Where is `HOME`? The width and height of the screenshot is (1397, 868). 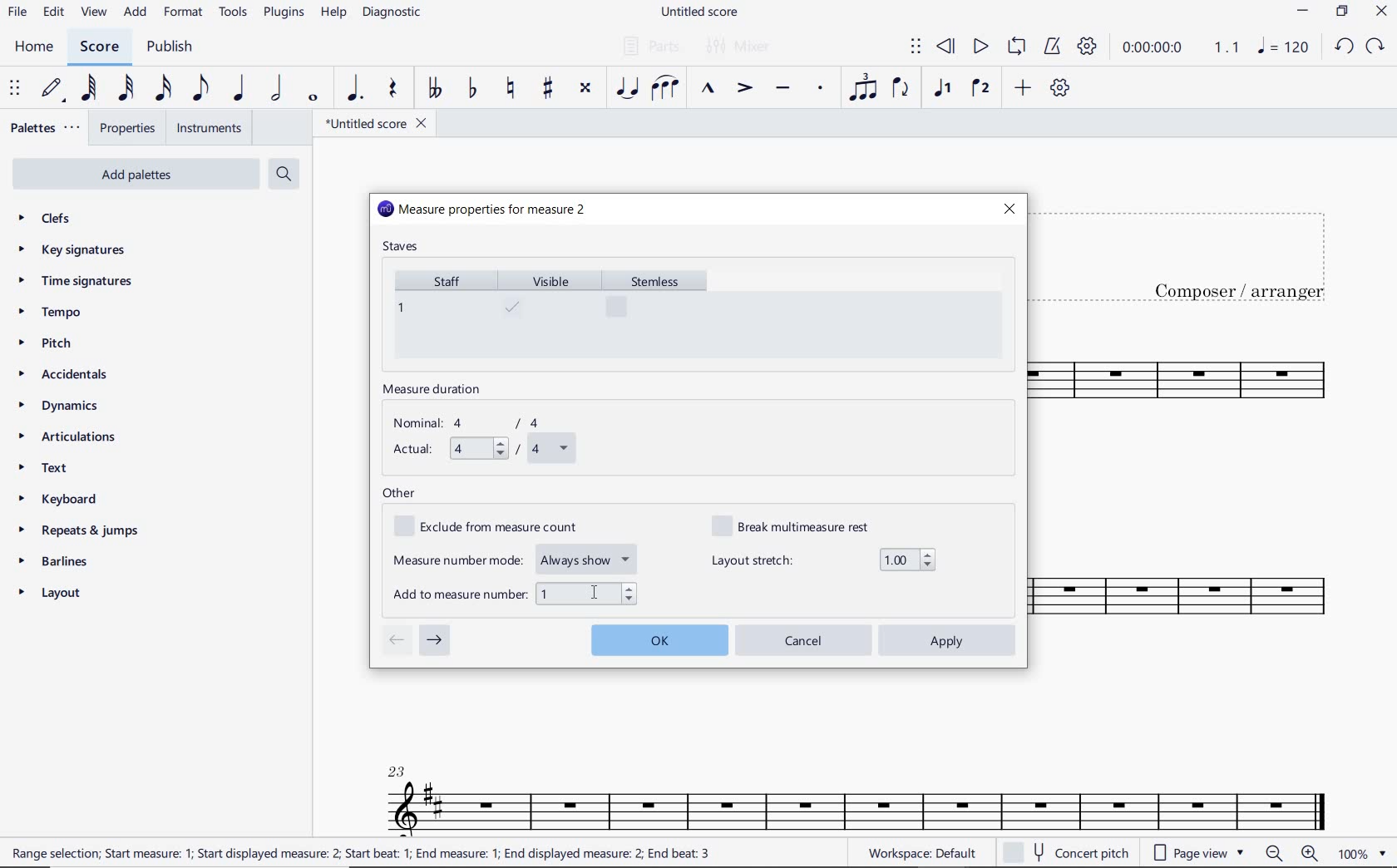 HOME is located at coordinates (33, 47).